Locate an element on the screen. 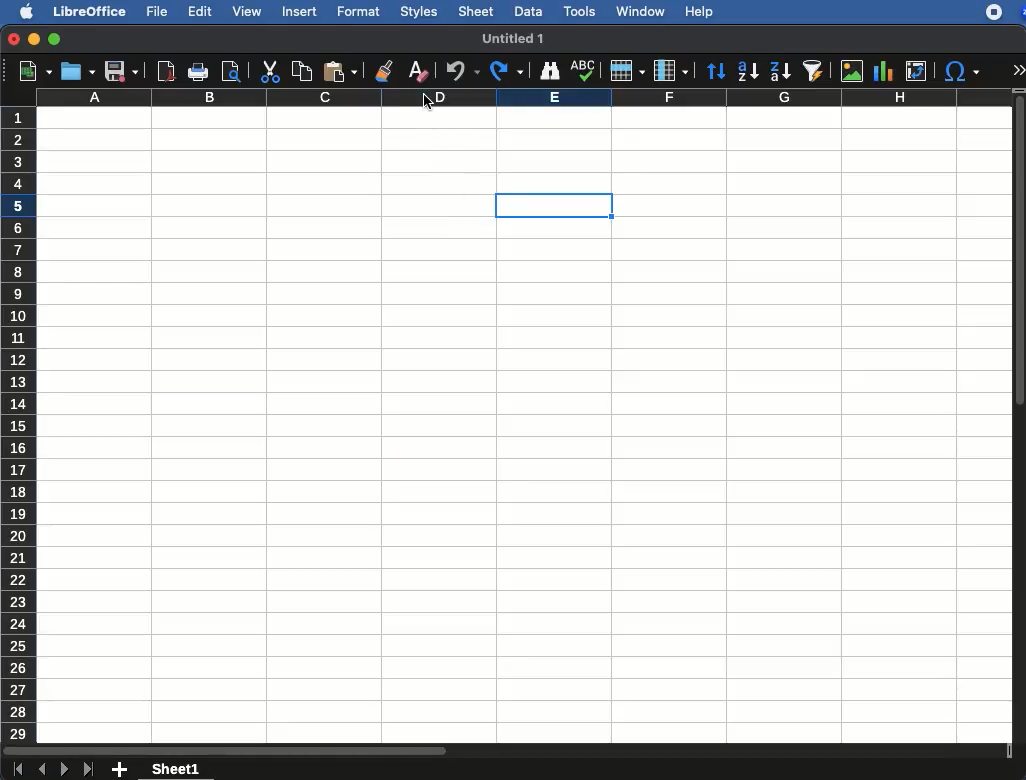 The image size is (1026, 780). cursor is located at coordinates (433, 104).